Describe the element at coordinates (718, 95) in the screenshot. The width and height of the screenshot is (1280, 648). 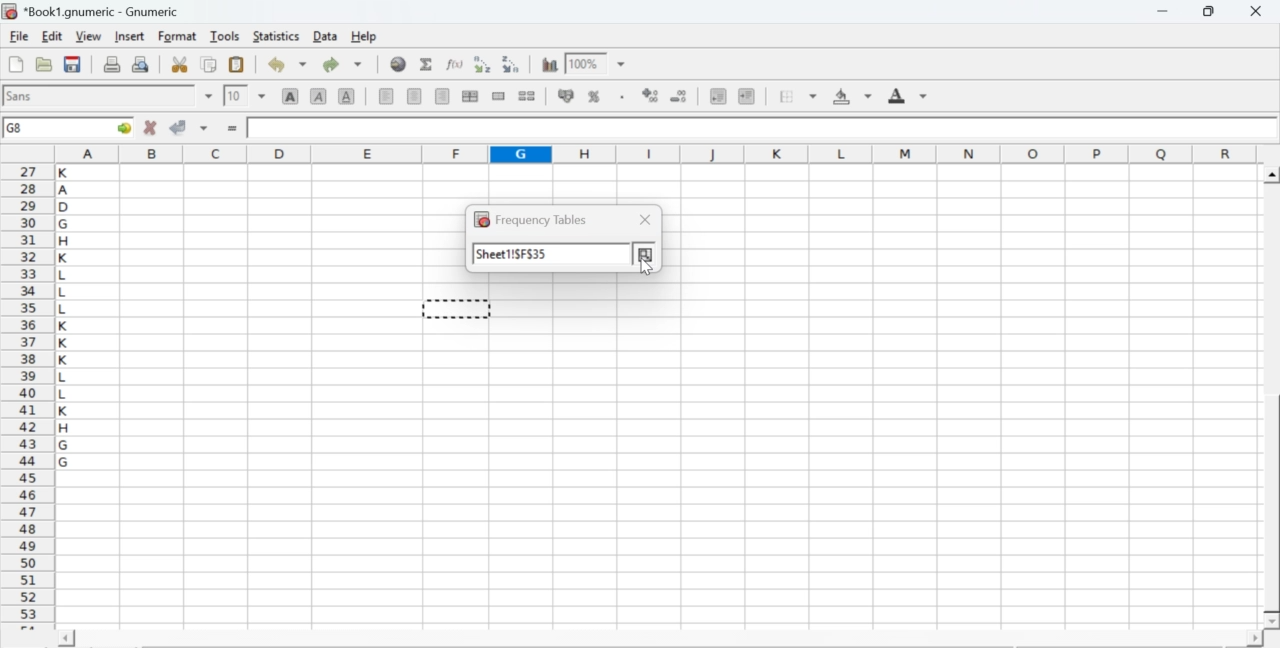
I see `decrease indent` at that location.